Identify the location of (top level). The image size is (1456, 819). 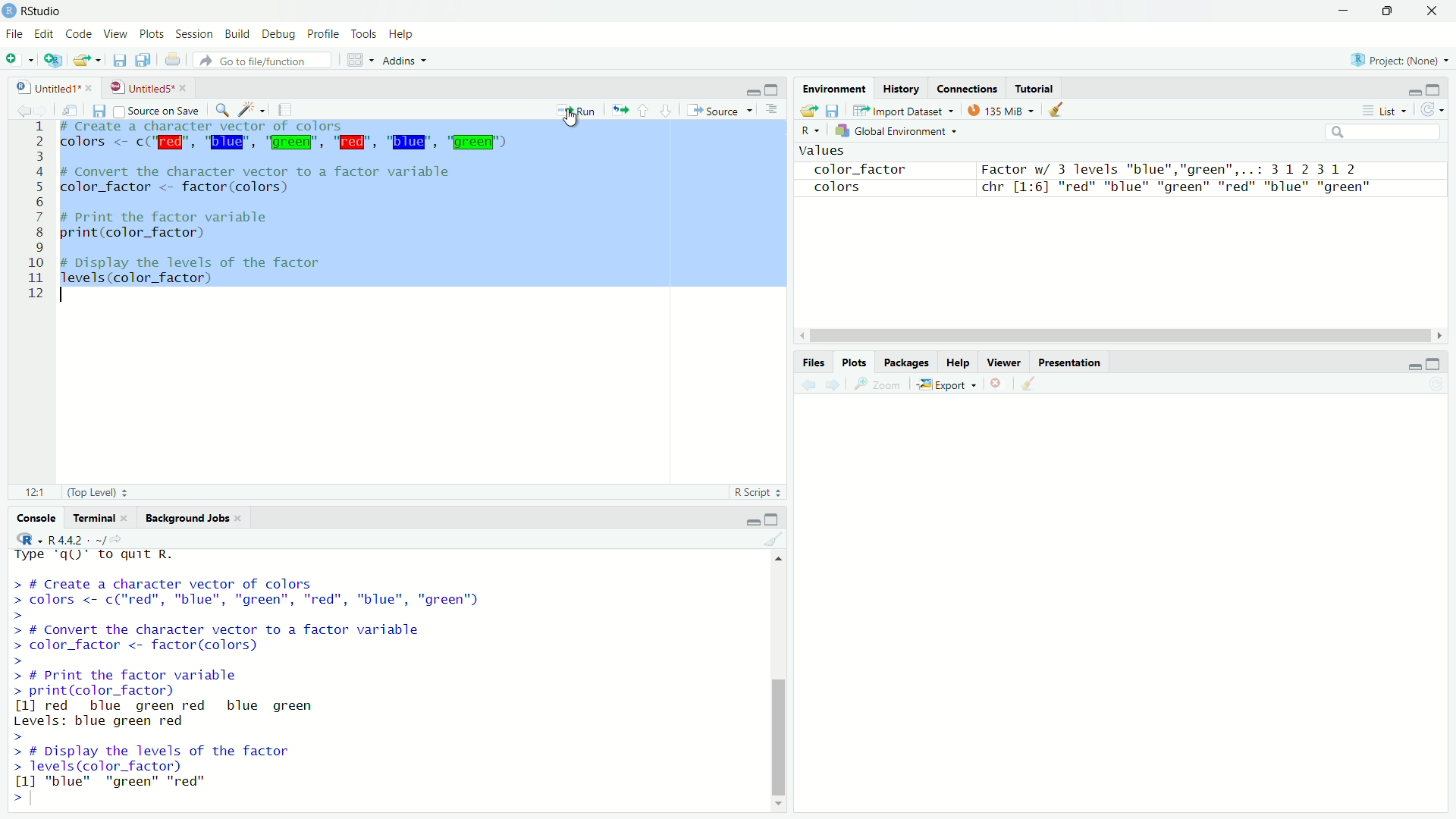
(104, 492).